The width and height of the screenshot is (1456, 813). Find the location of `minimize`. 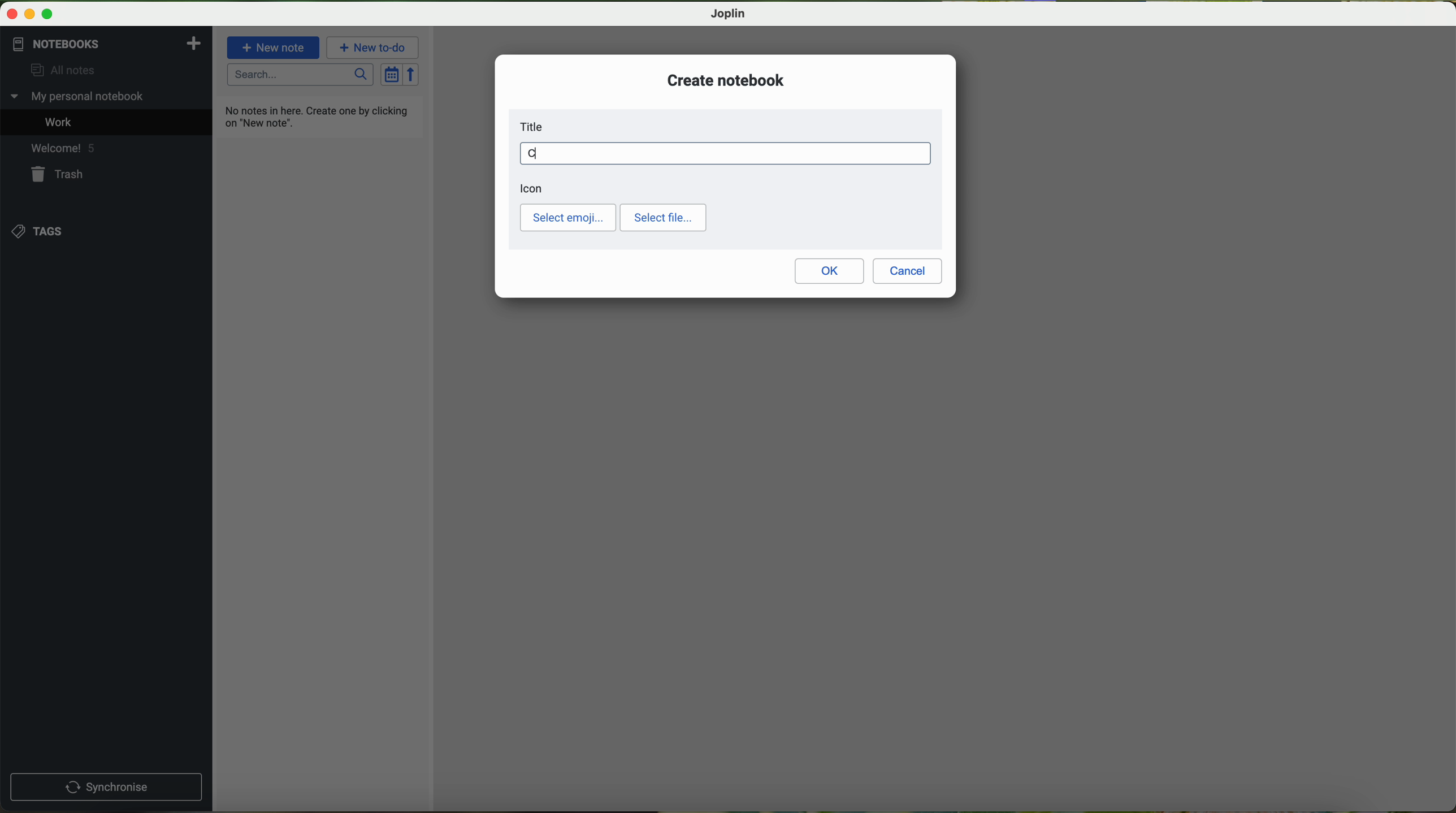

minimize is located at coordinates (31, 15).